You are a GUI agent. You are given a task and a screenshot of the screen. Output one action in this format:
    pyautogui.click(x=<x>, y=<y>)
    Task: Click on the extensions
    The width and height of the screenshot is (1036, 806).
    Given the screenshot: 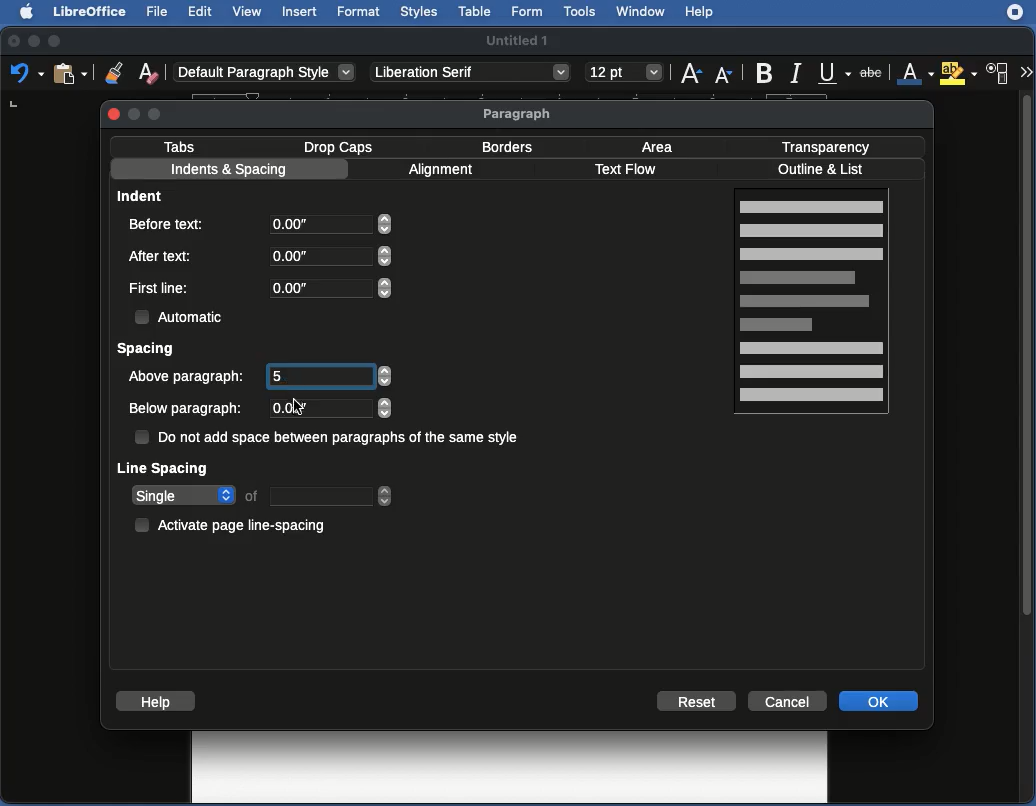 What is the action you would take?
    pyautogui.click(x=1017, y=20)
    